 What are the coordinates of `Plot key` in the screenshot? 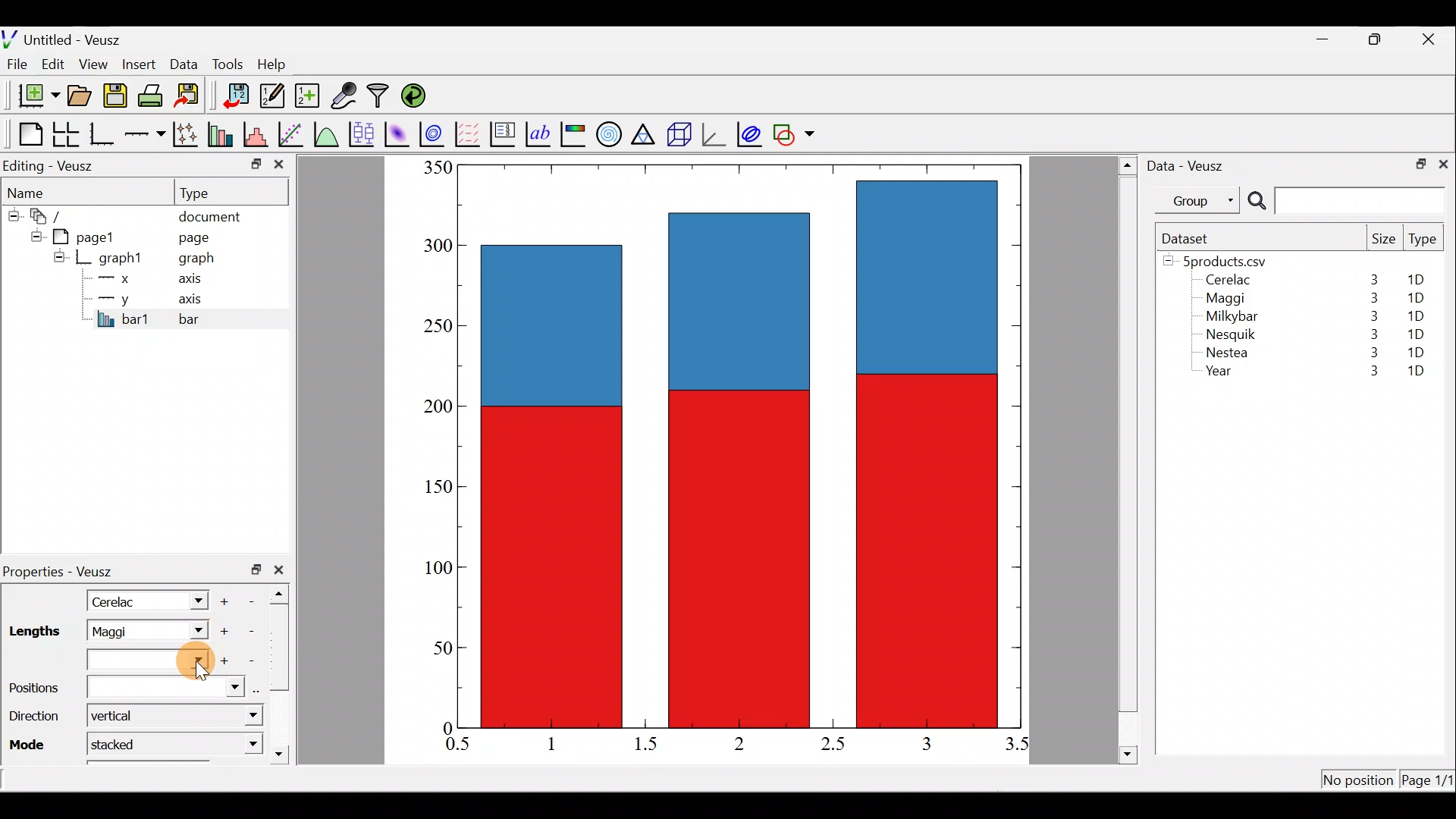 It's located at (504, 133).